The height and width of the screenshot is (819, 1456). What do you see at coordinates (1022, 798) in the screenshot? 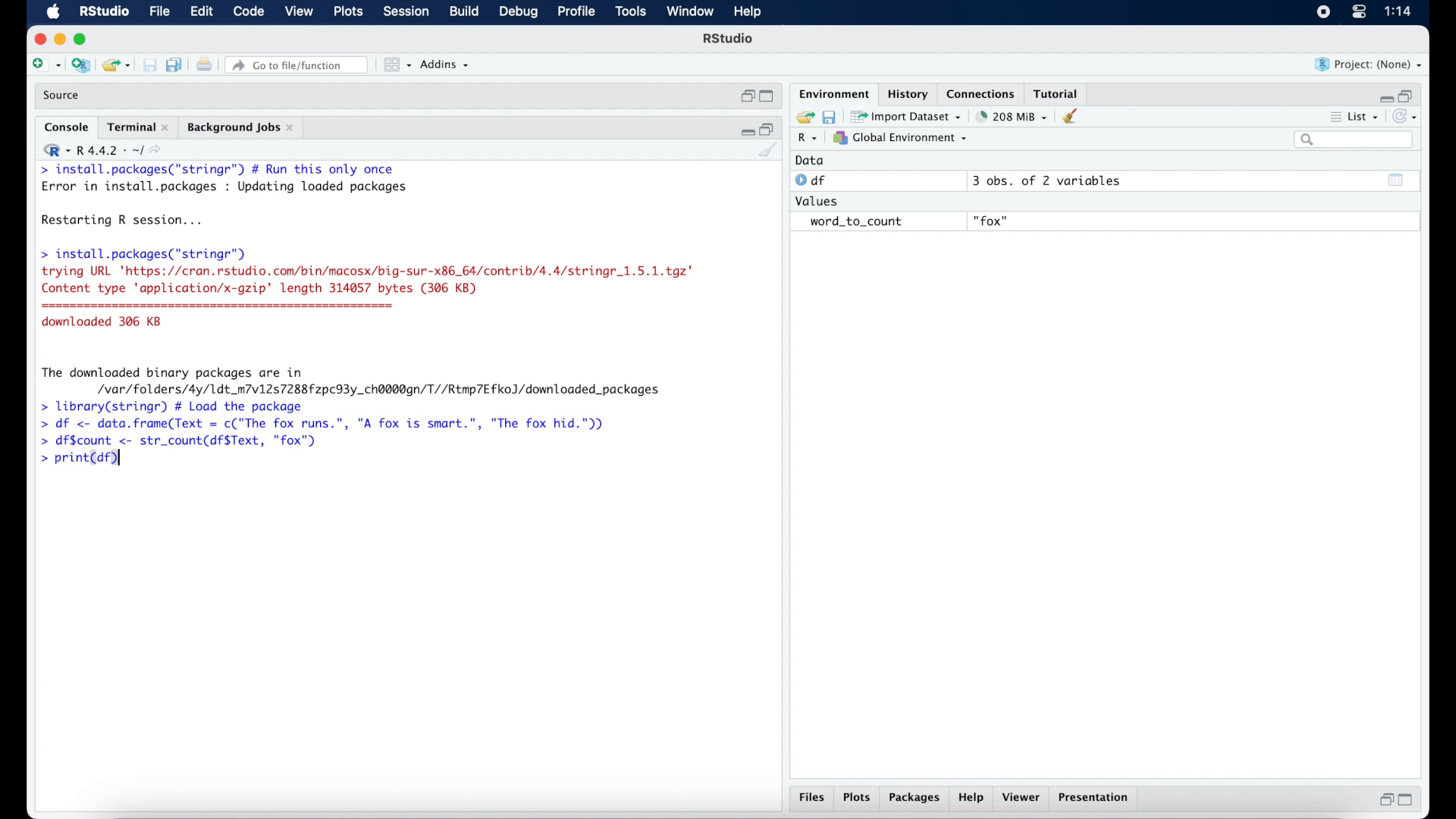
I see `viewer` at bounding box center [1022, 798].